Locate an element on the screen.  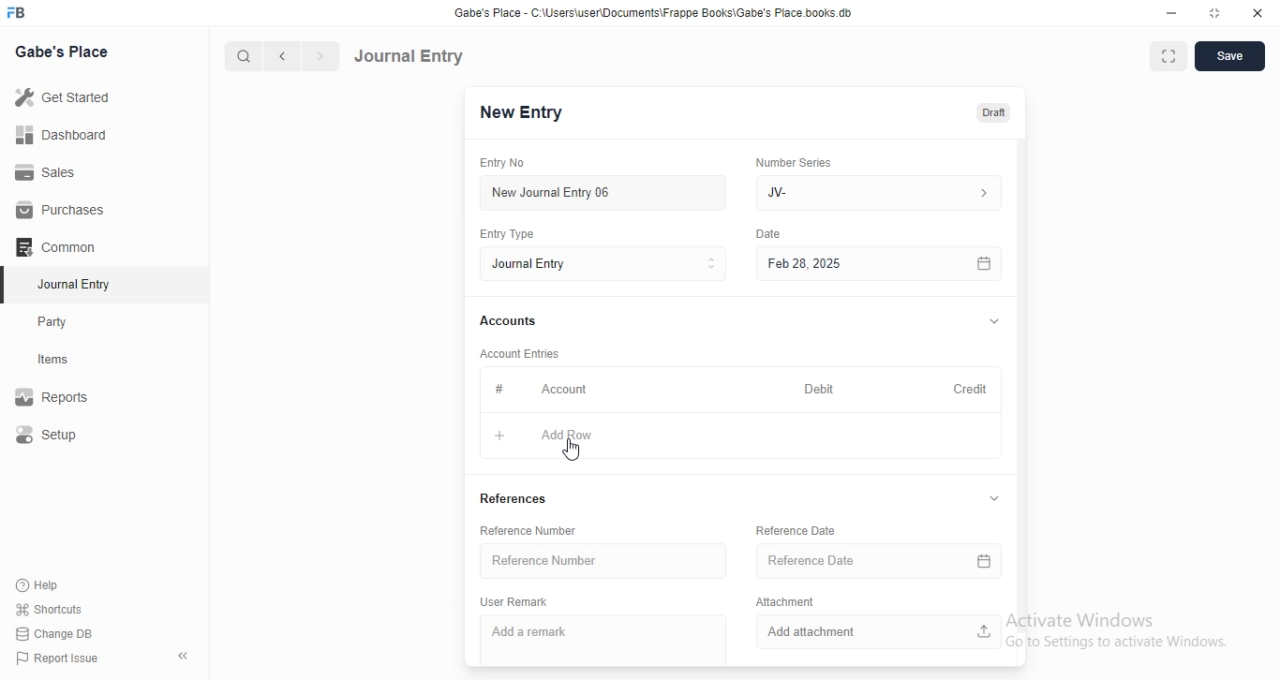
User Remark is located at coordinates (521, 601).